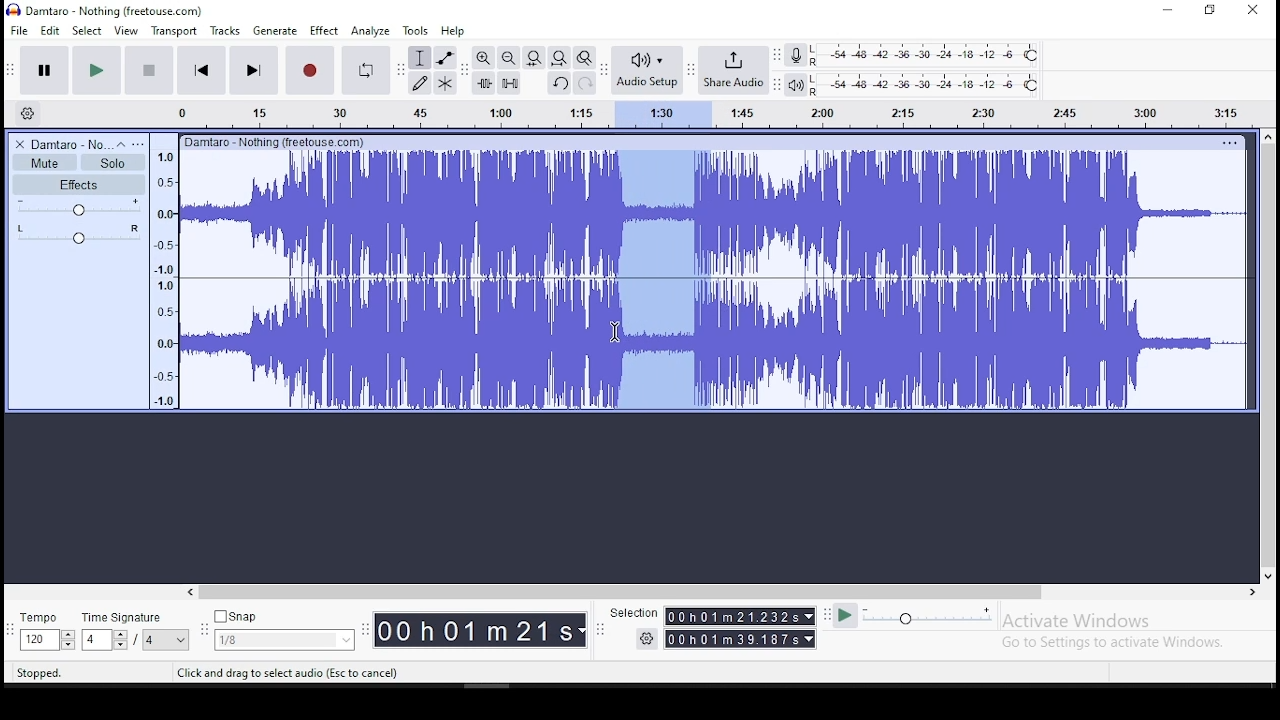 The width and height of the screenshot is (1280, 720). Describe the element at coordinates (120, 144) in the screenshot. I see `collapse` at that location.